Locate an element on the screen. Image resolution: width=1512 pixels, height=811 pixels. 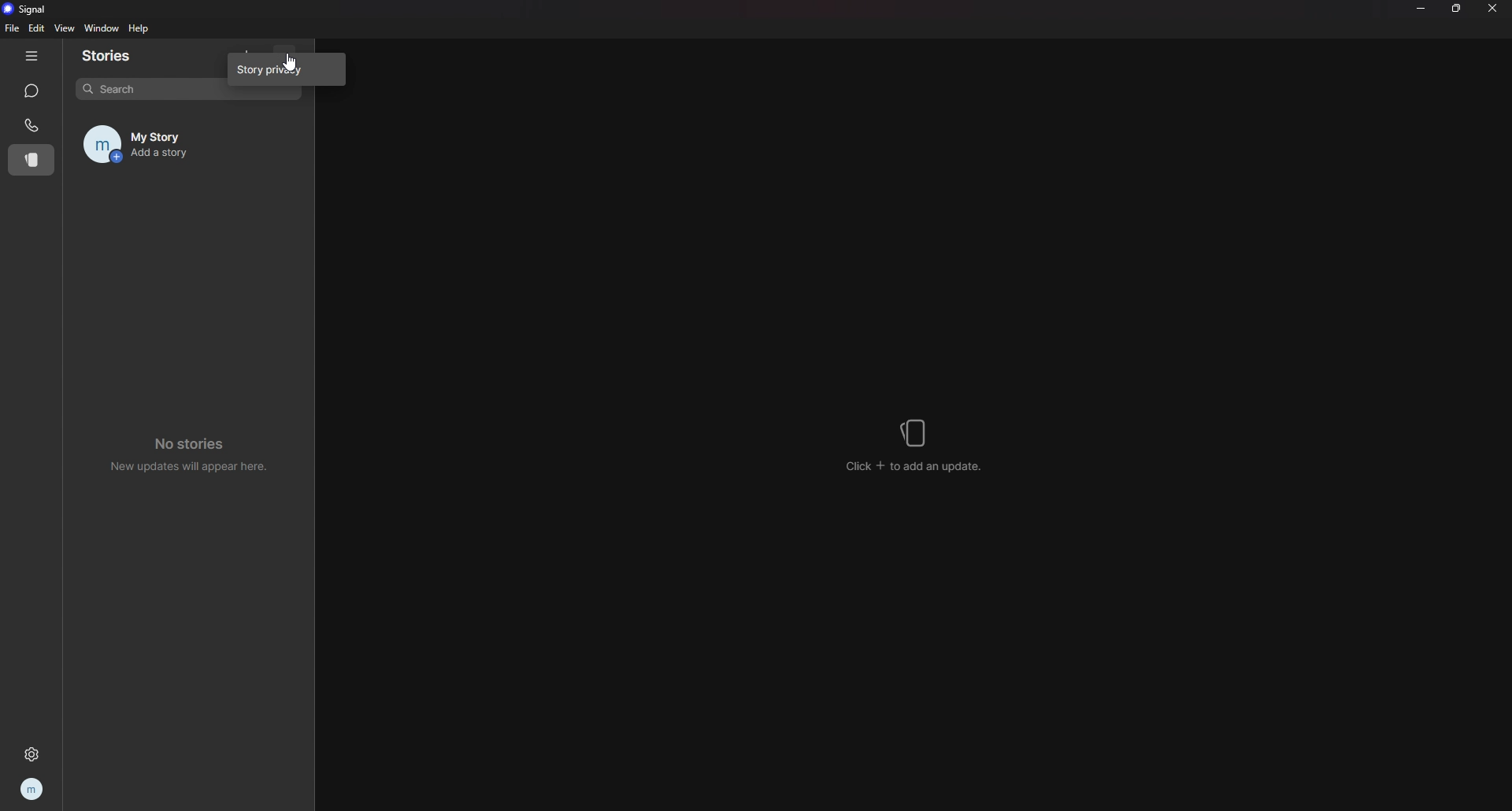
resize is located at coordinates (1458, 9).